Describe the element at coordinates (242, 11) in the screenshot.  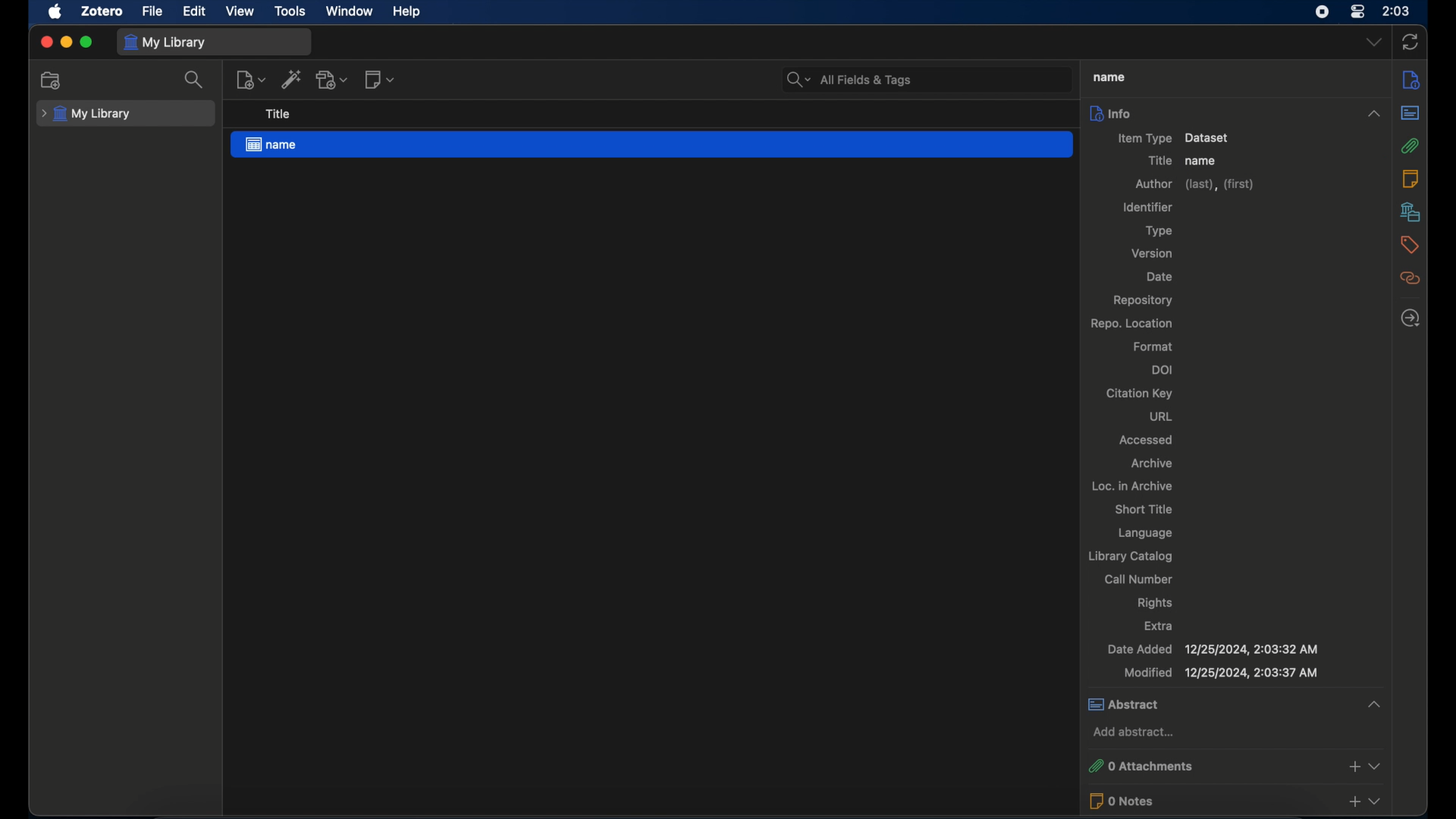
I see `view` at that location.